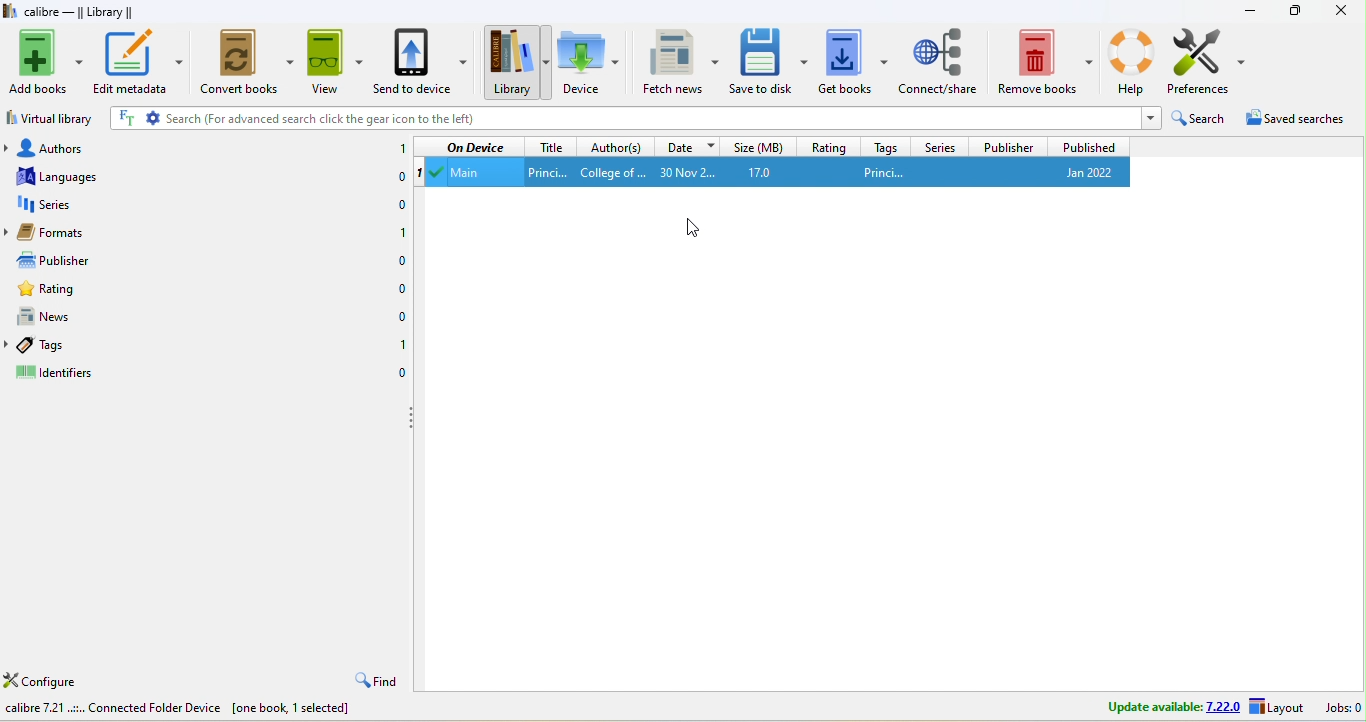 This screenshot has width=1366, height=722. Describe the element at coordinates (588, 61) in the screenshot. I see `device` at that location.